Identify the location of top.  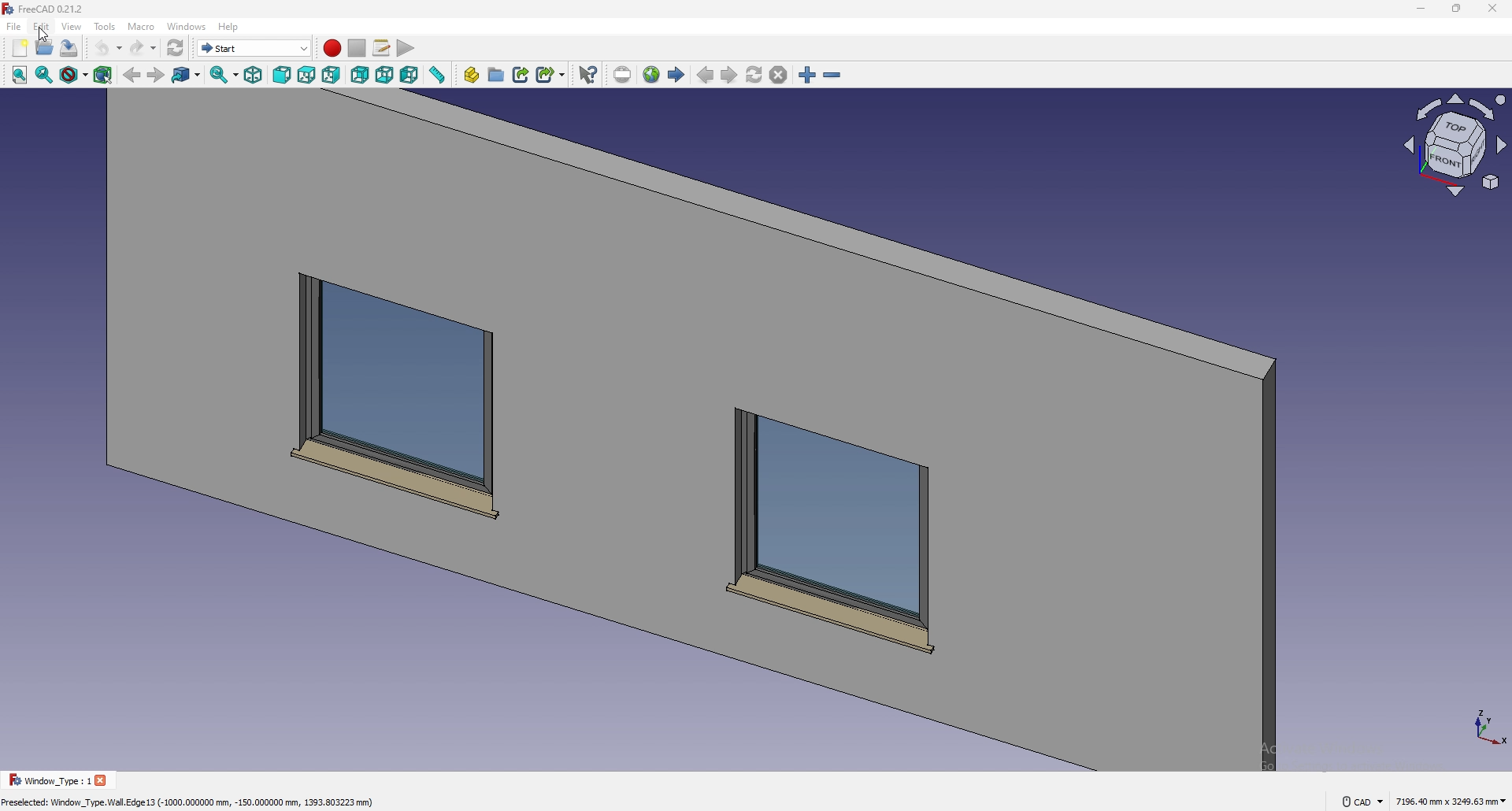
(306, 76).